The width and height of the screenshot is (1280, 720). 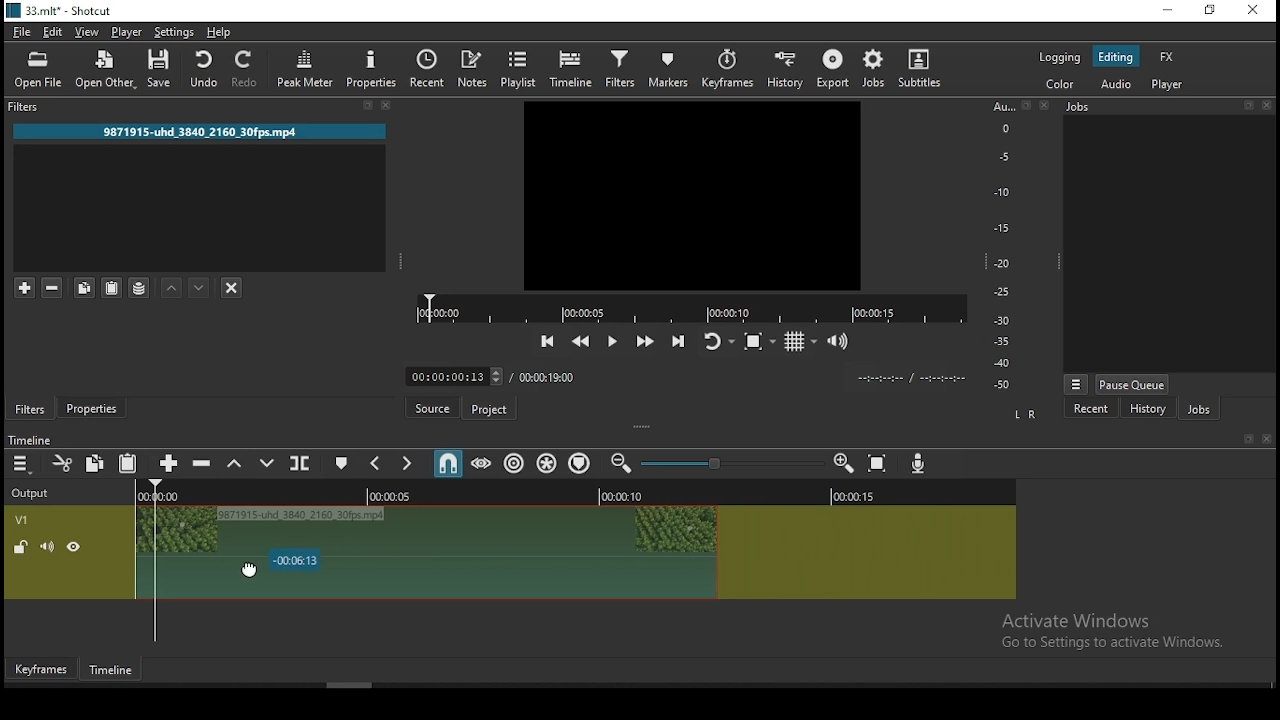 What do you see at coordinates (805, 342) in the screenshot?
I see `toggle grid display on player` at bounding box center [805, 342].